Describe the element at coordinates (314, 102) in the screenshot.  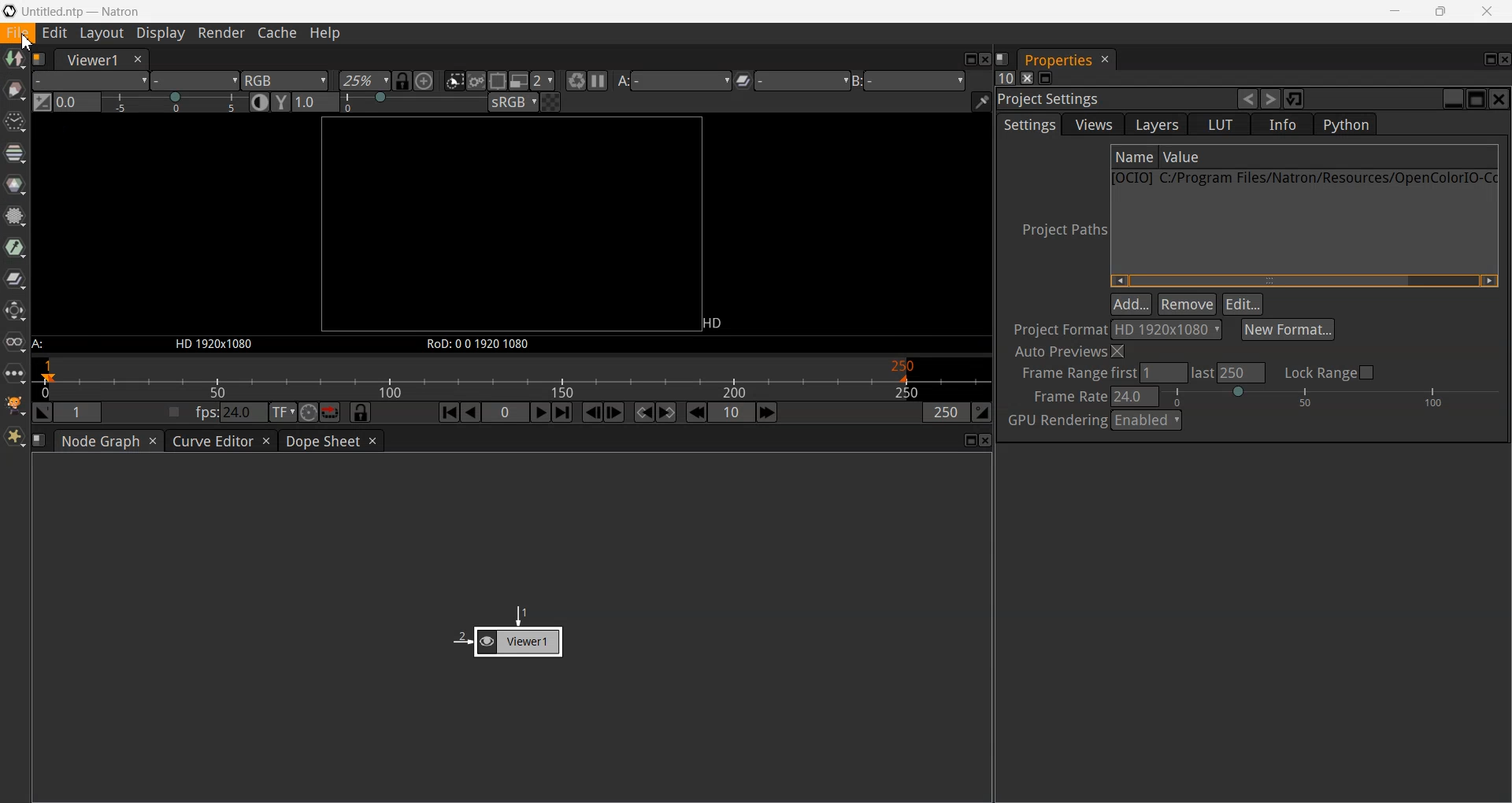
I see `Viewer gamma correction level` at that location.